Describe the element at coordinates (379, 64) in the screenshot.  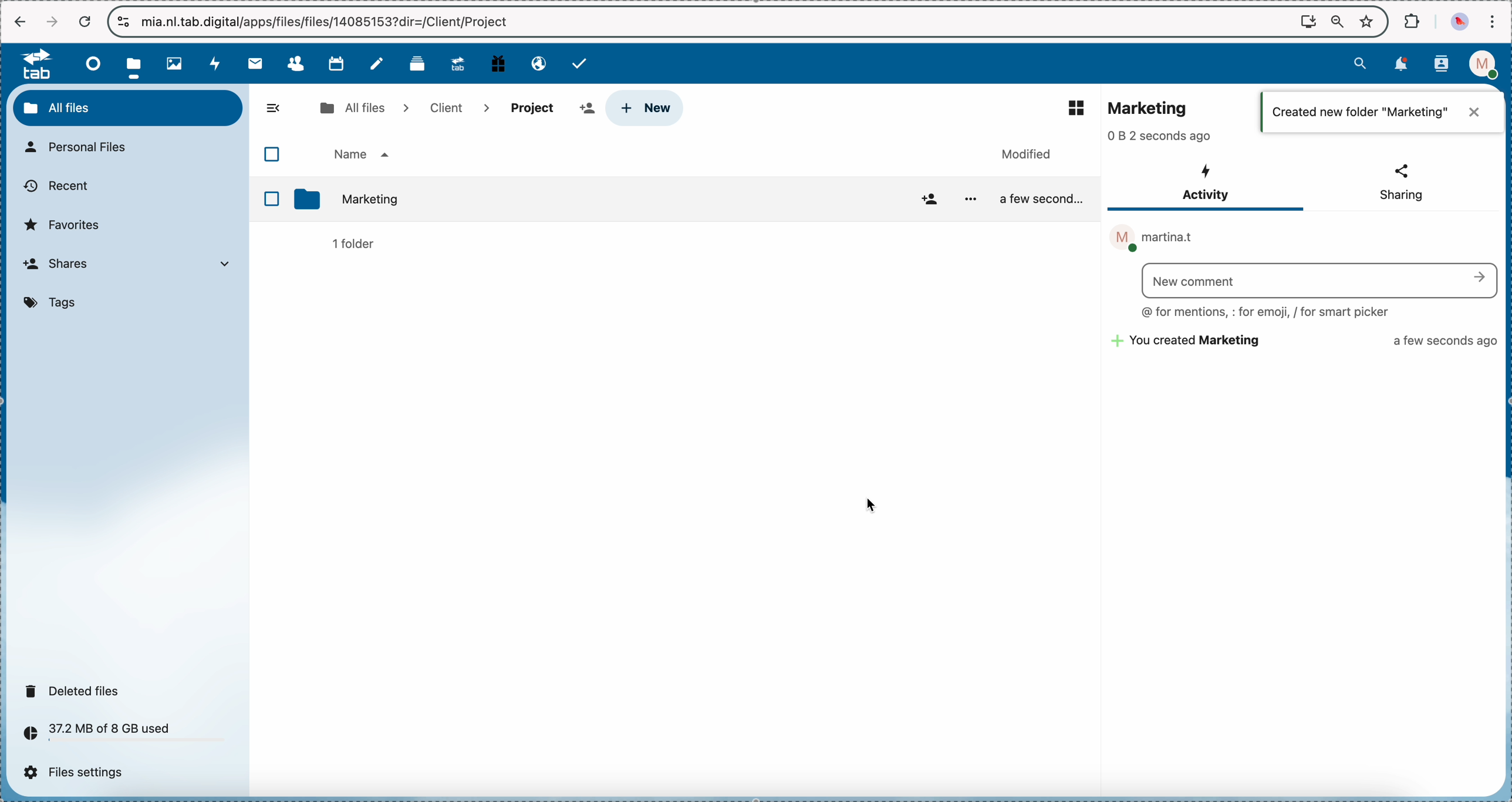
I see `notes` at that location.